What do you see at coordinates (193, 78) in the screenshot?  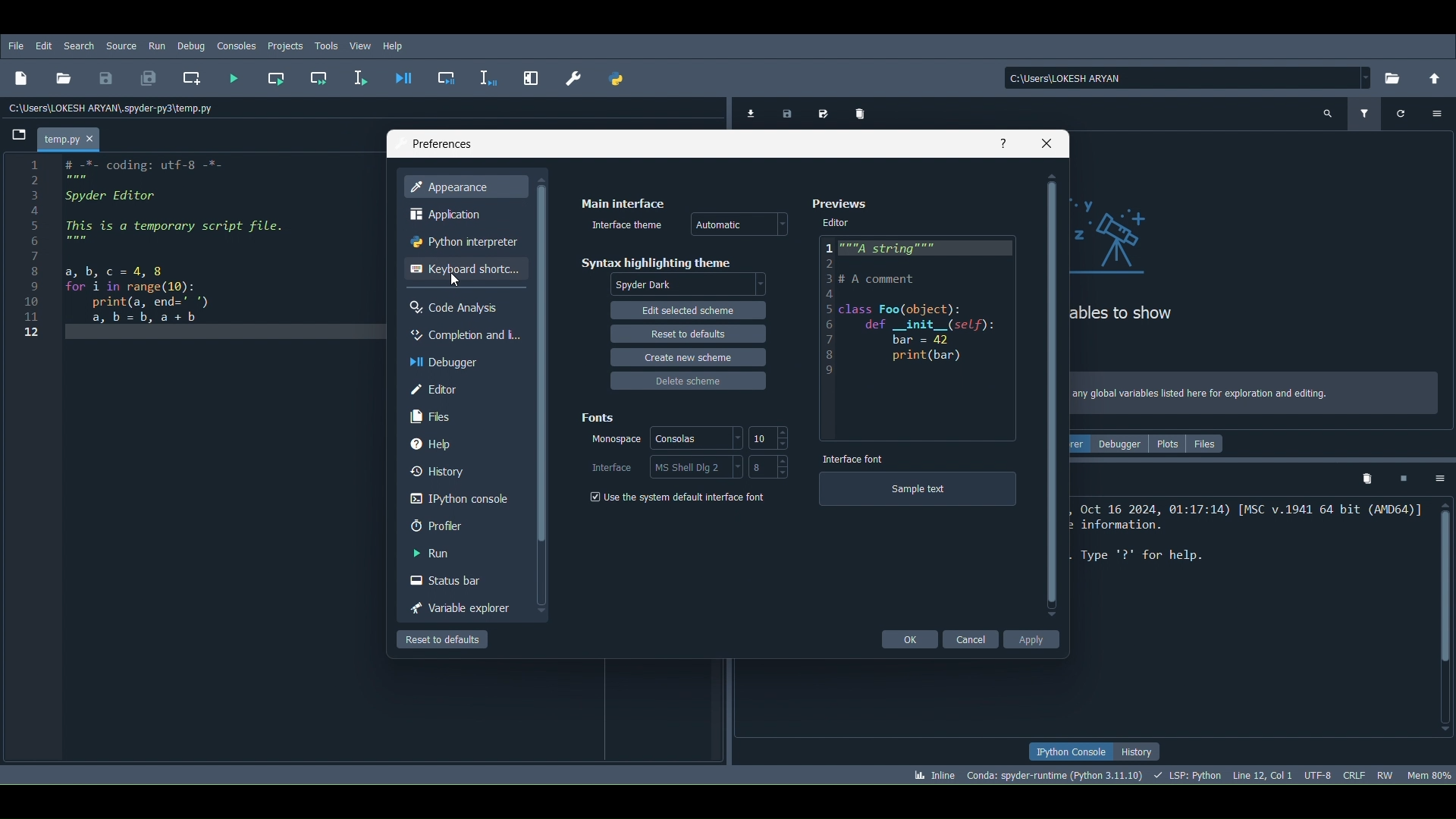 I see `Create a new cell at the current line (Ctrl + 2)` at bounding box center [193, 78].